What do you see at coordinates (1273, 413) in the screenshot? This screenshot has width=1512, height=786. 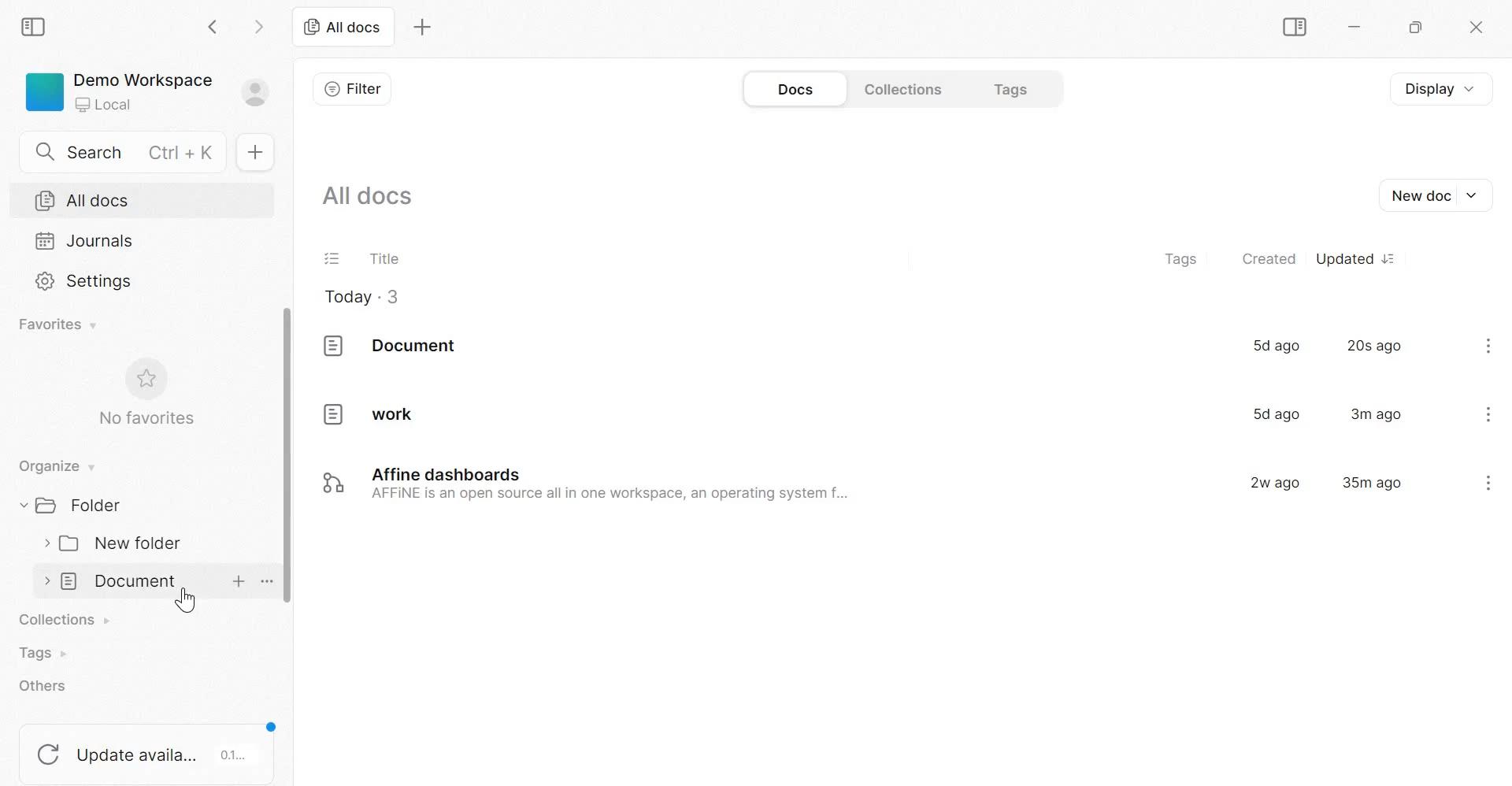 I see `5d ago` at bounding box center [1273, 413].